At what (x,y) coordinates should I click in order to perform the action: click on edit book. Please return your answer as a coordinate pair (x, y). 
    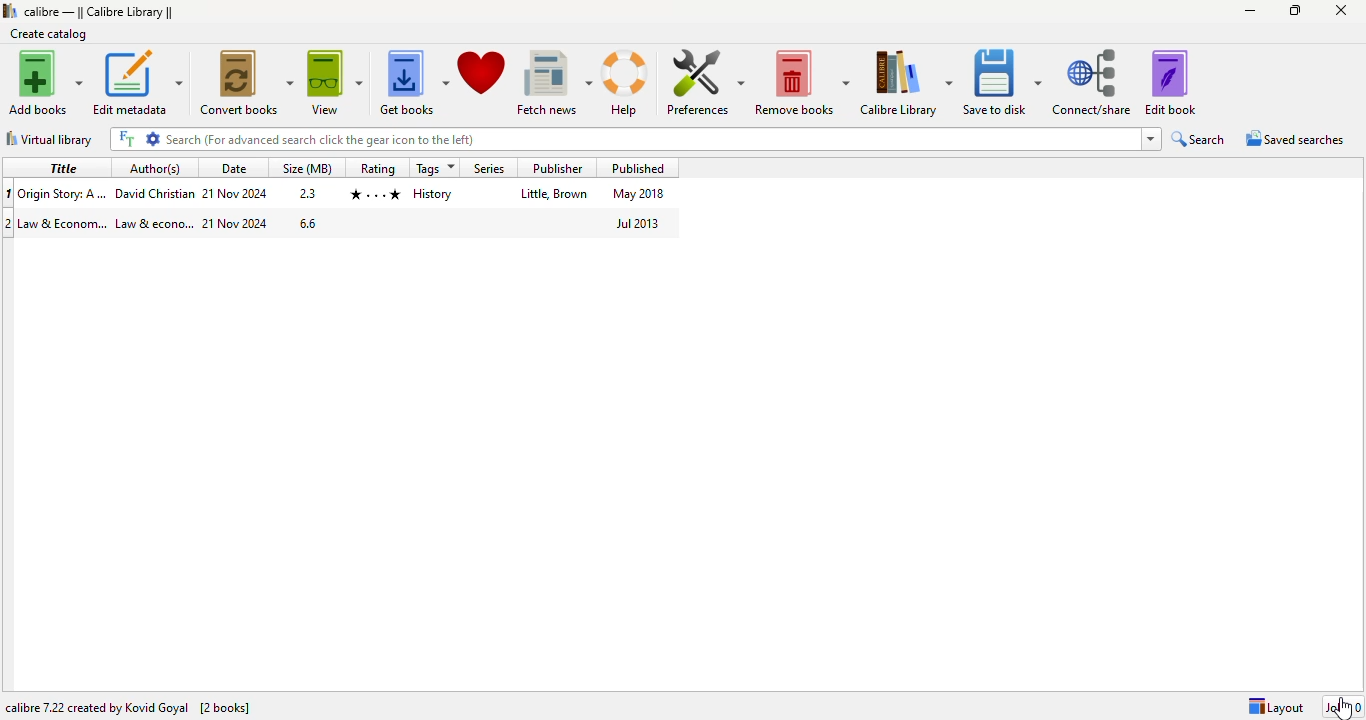
    Looking at the image, I should click on (1171, 81).